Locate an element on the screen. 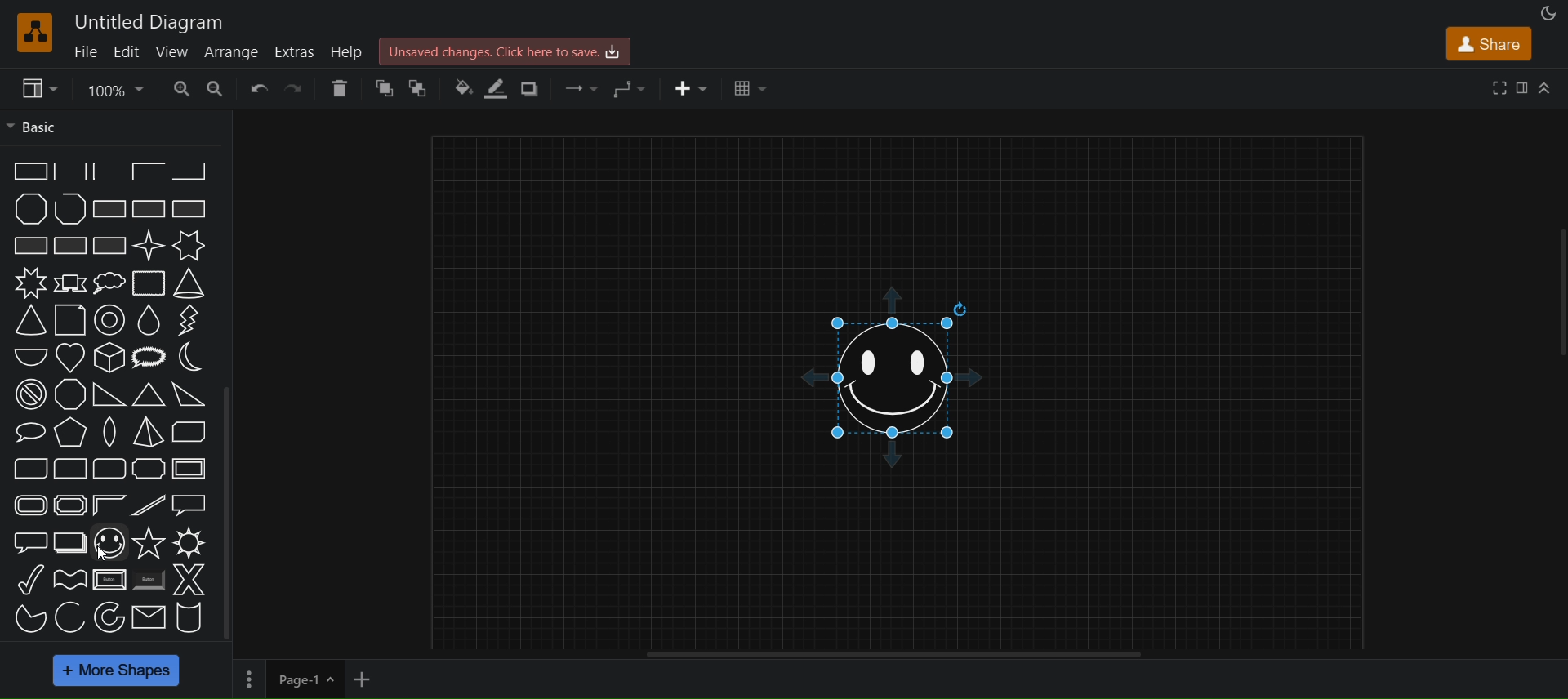 This screenshot has height=699, width=1568. rectangle with diagonal fill is located at coordinates (108, 211).